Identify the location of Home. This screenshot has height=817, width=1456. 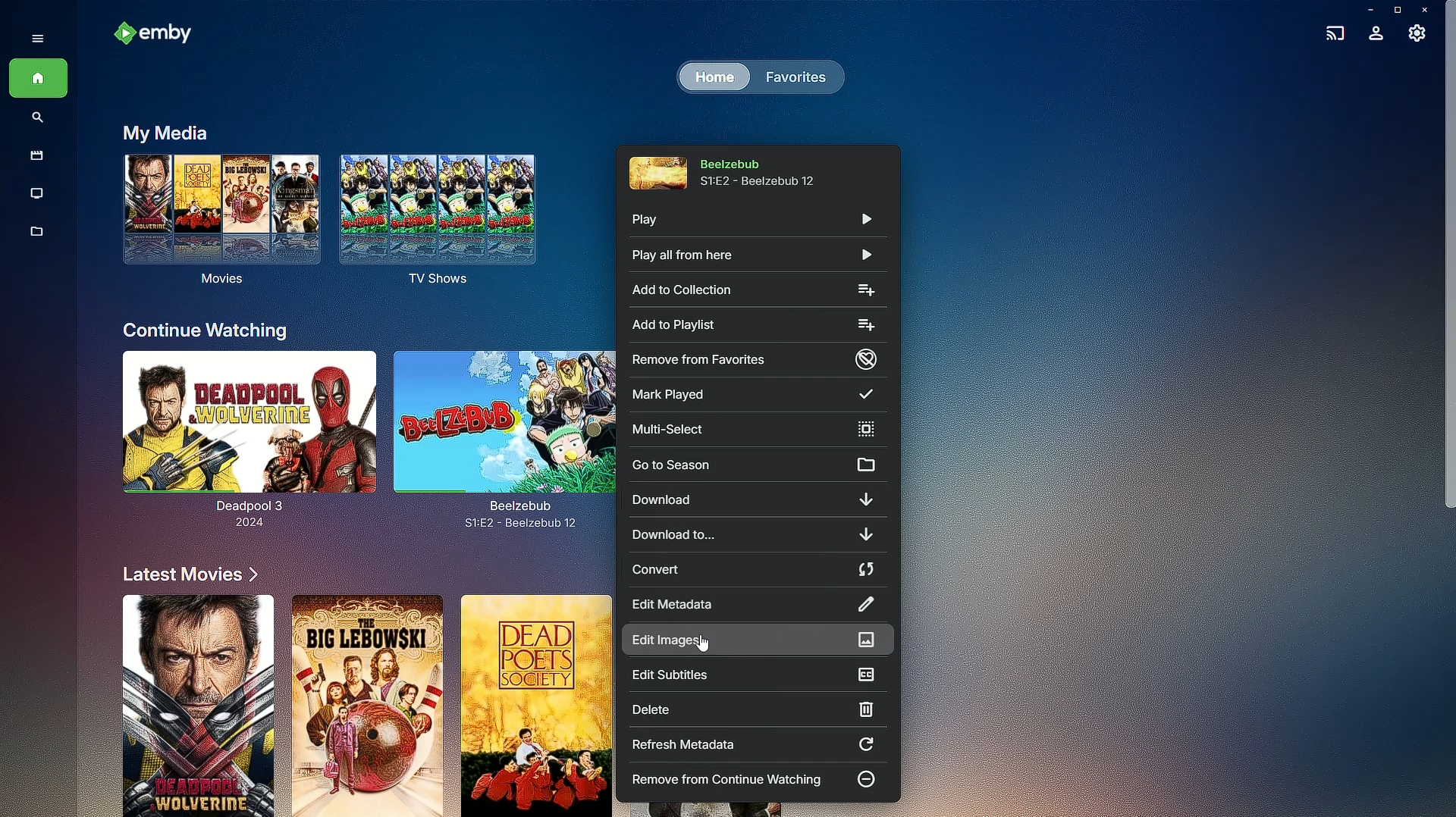
(713, 78).